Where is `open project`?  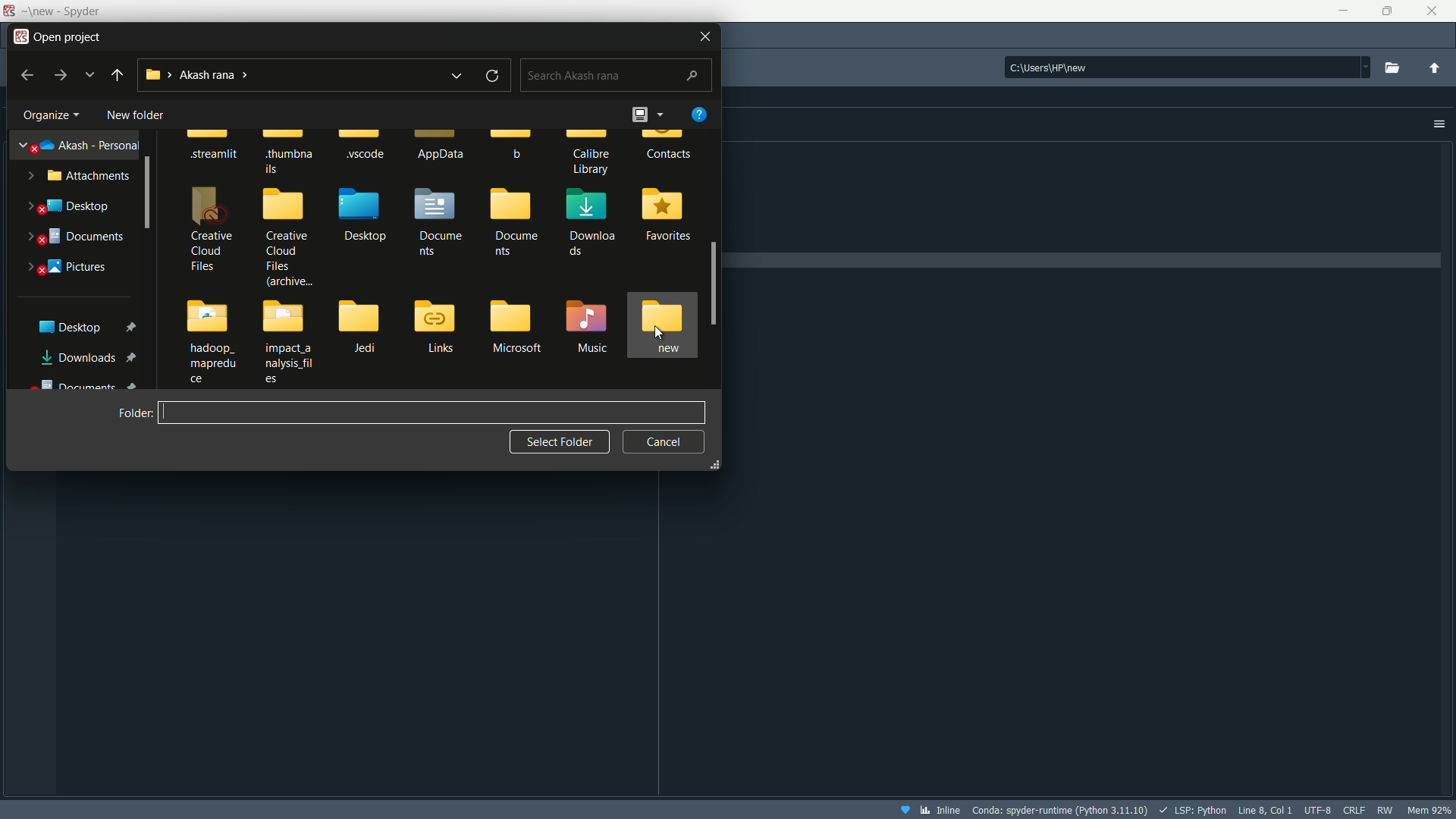
open project is located at coordinates (71, 35).